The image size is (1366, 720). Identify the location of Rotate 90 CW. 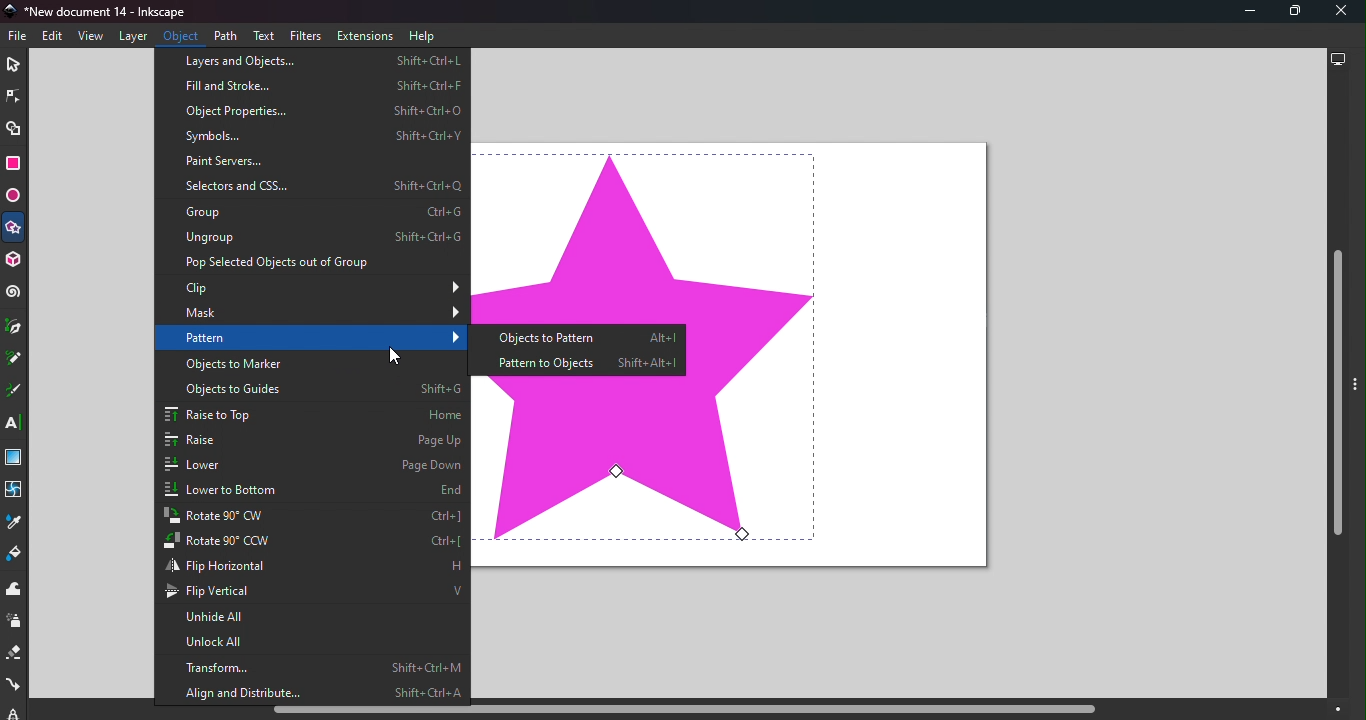
(311, 514).